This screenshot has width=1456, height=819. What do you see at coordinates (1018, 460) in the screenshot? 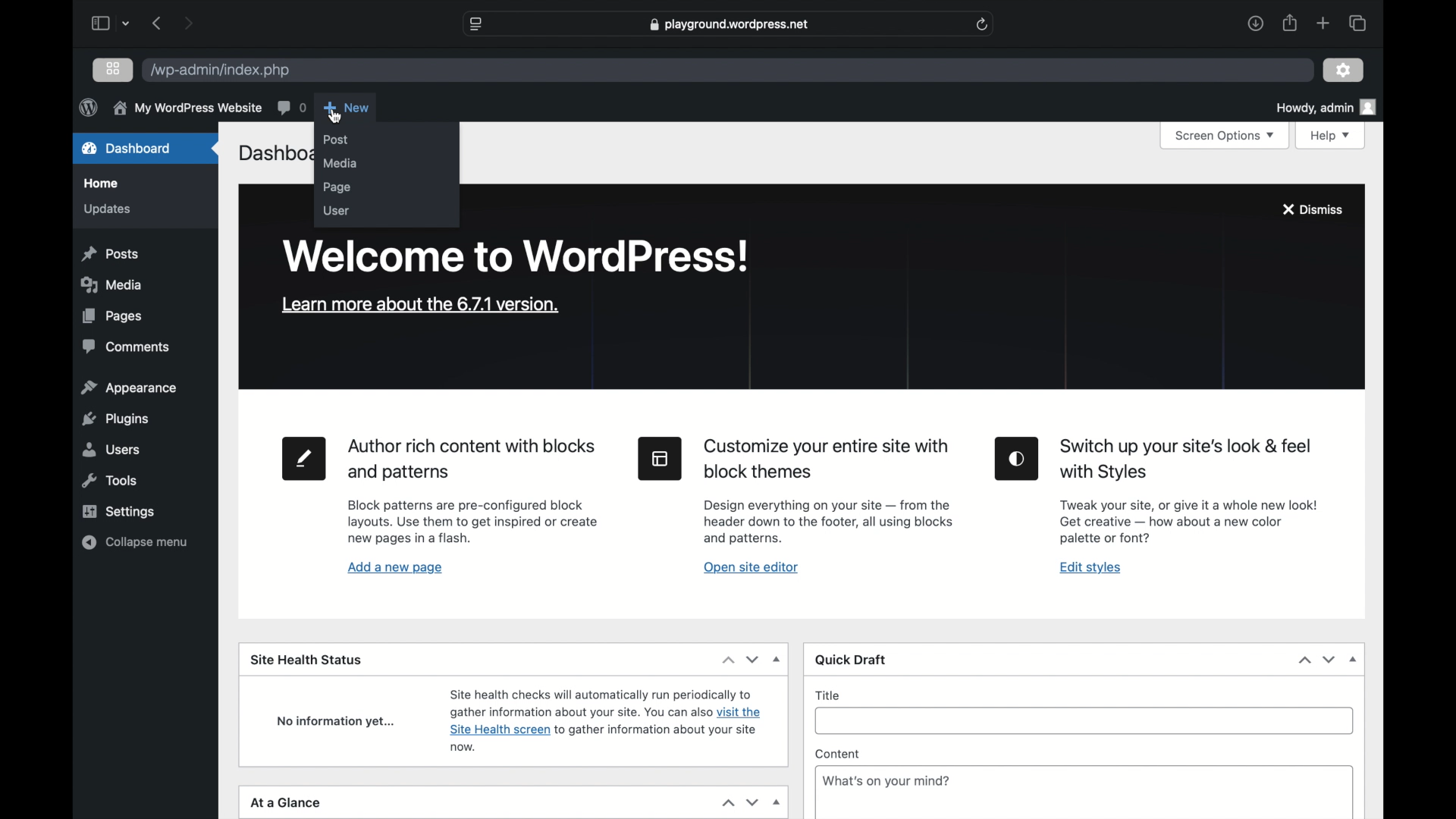
I see `edit styles` at bounding box center [1018, 460].